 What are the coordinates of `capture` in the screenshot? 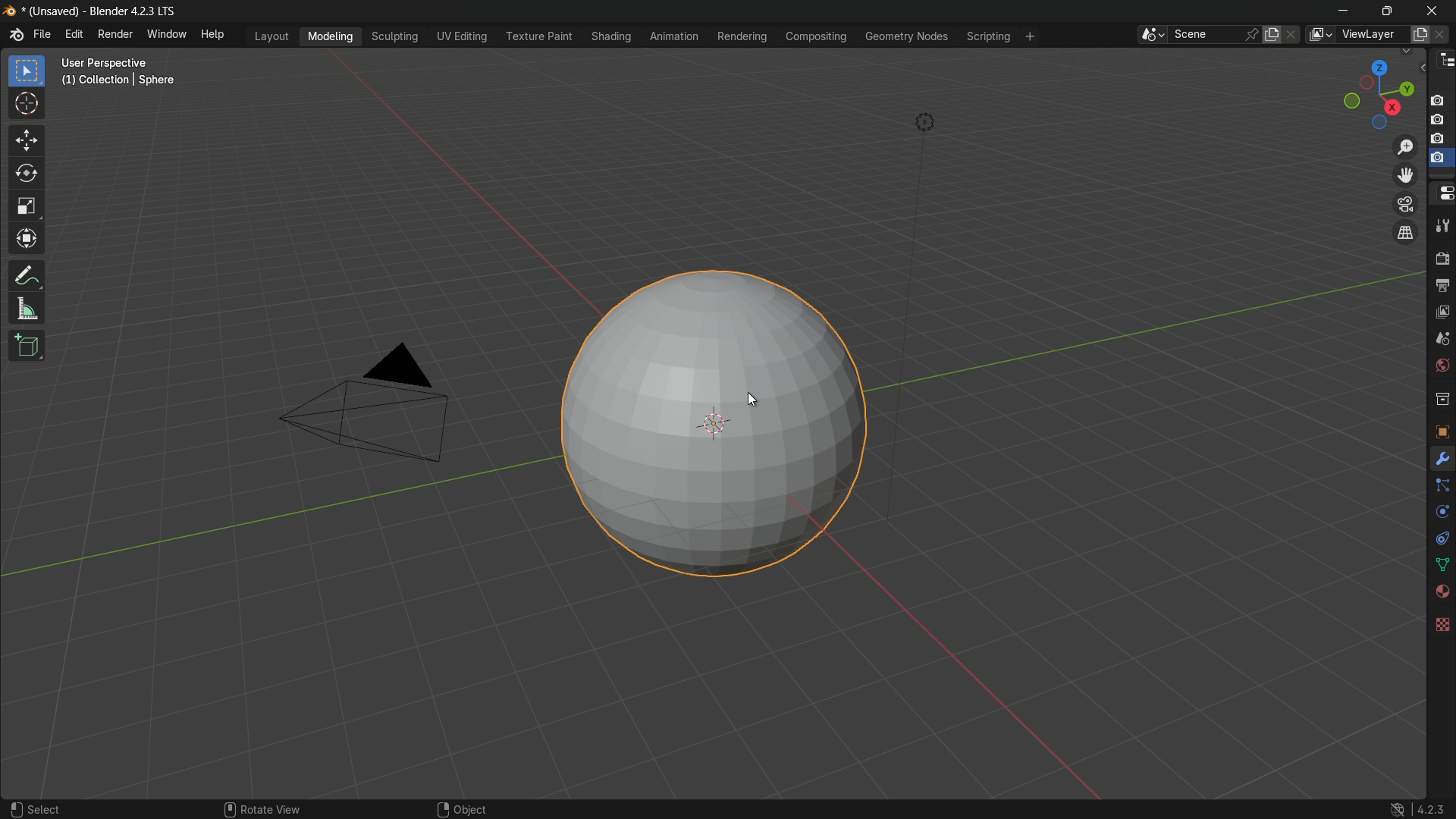 It's located at (1439, 95).